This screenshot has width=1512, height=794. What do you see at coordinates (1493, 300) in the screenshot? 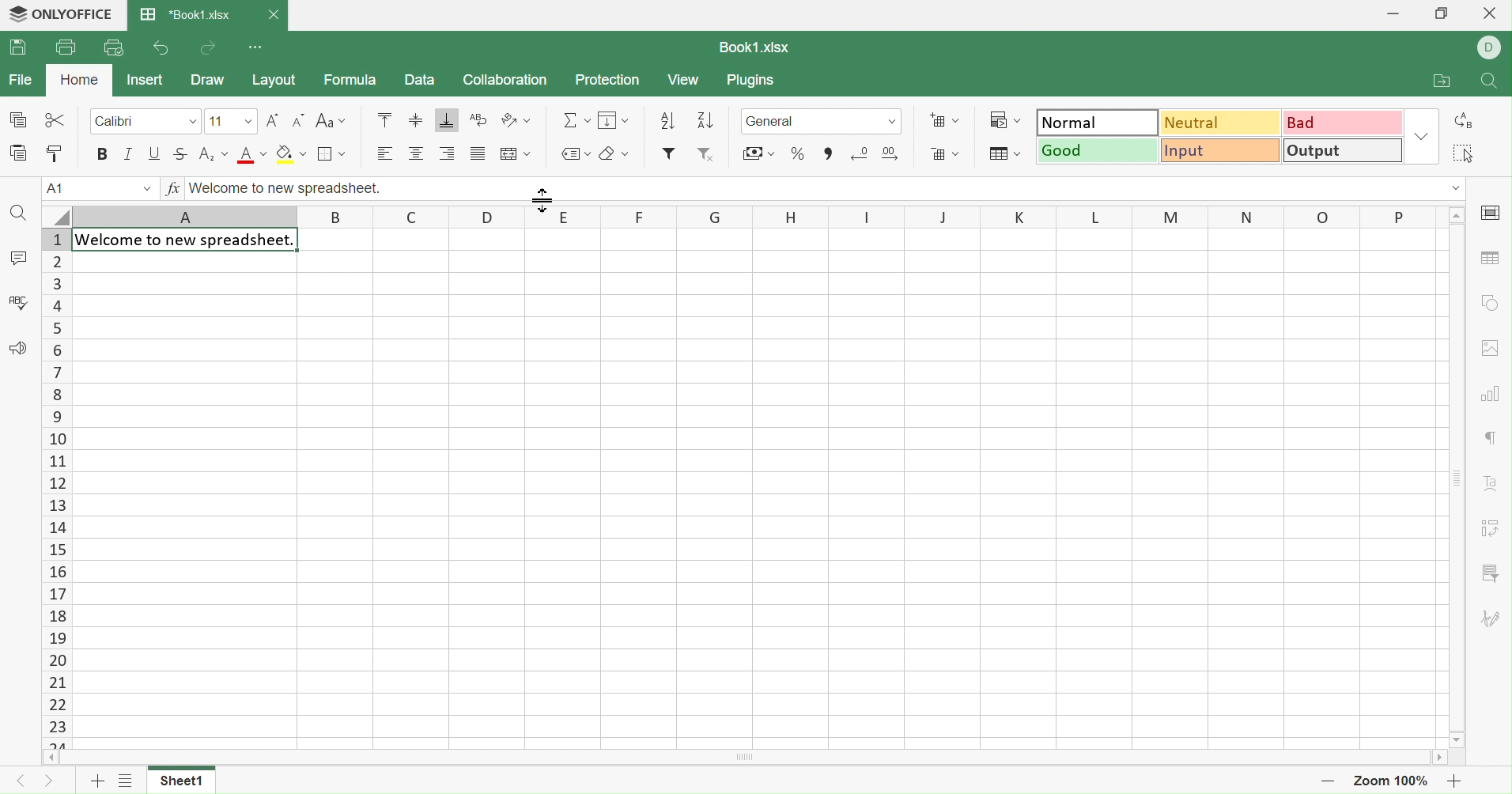
I see `shape settings` at bounding box center [1493, 300].